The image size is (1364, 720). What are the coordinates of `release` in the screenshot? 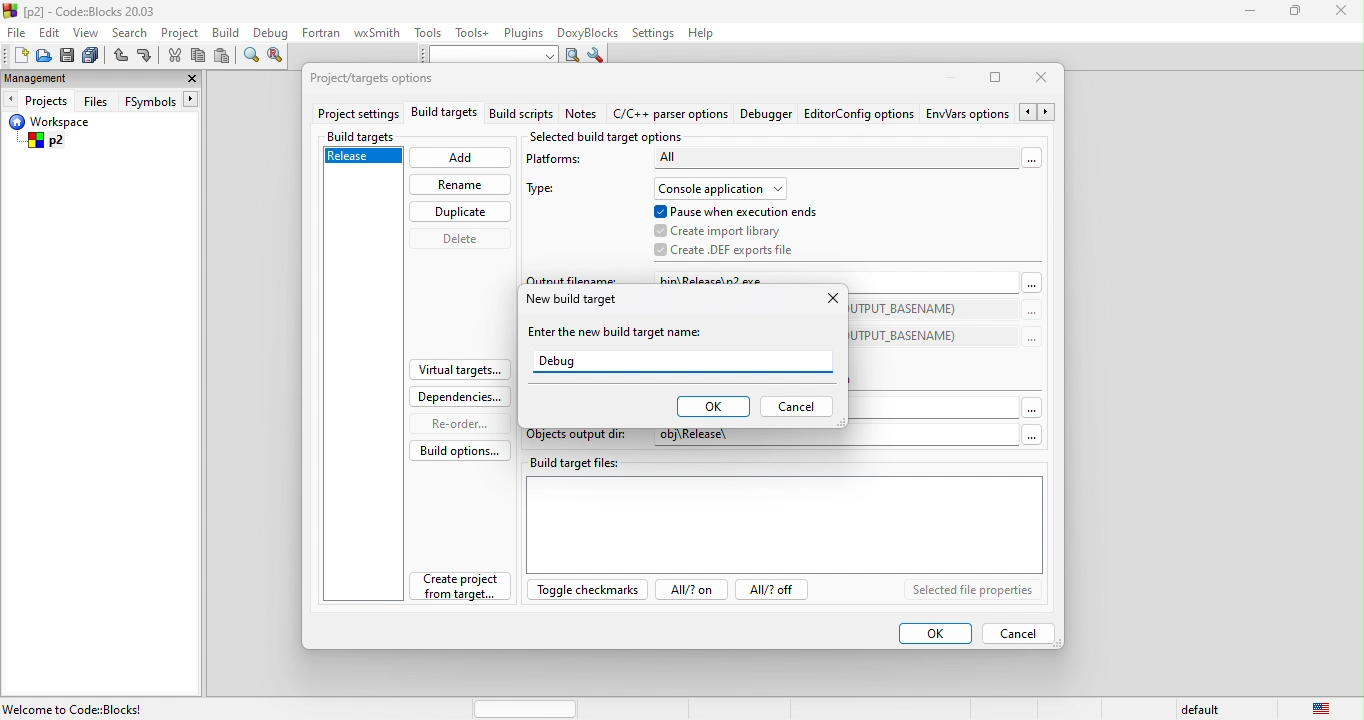 It's located at (364, 157).